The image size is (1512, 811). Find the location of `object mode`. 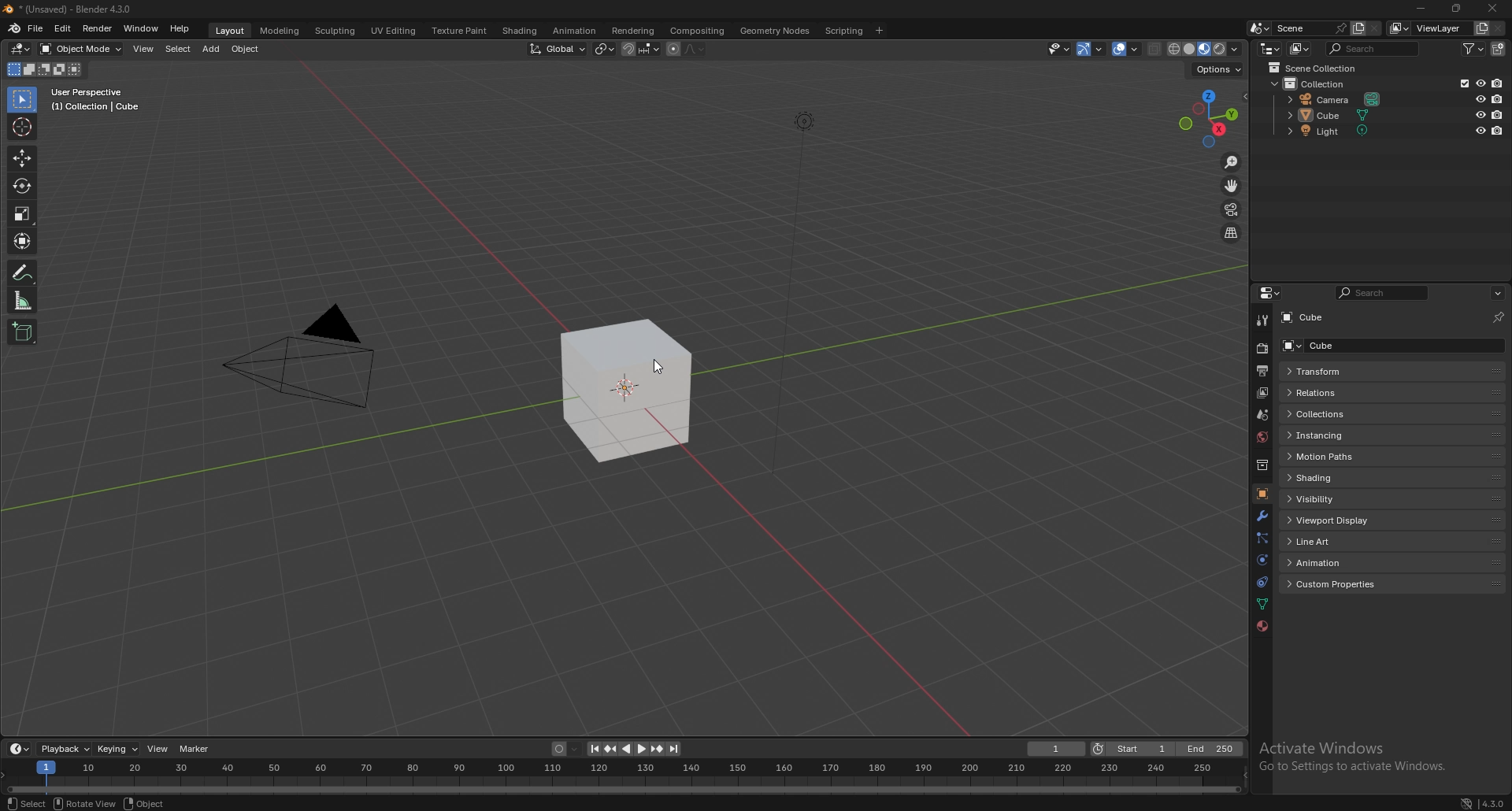

object mode is located at coordinates (82, 48).